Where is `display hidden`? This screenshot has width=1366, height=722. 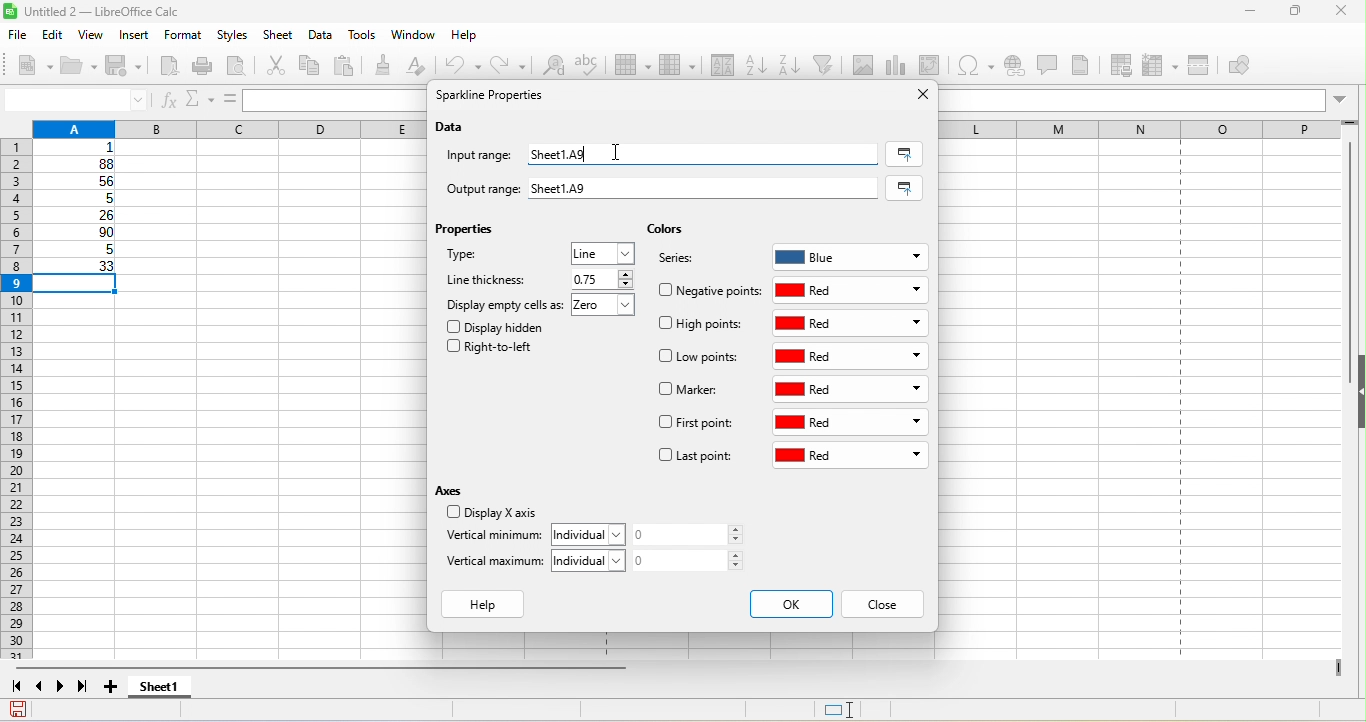
display hidden is located at coordinates (500, 326).